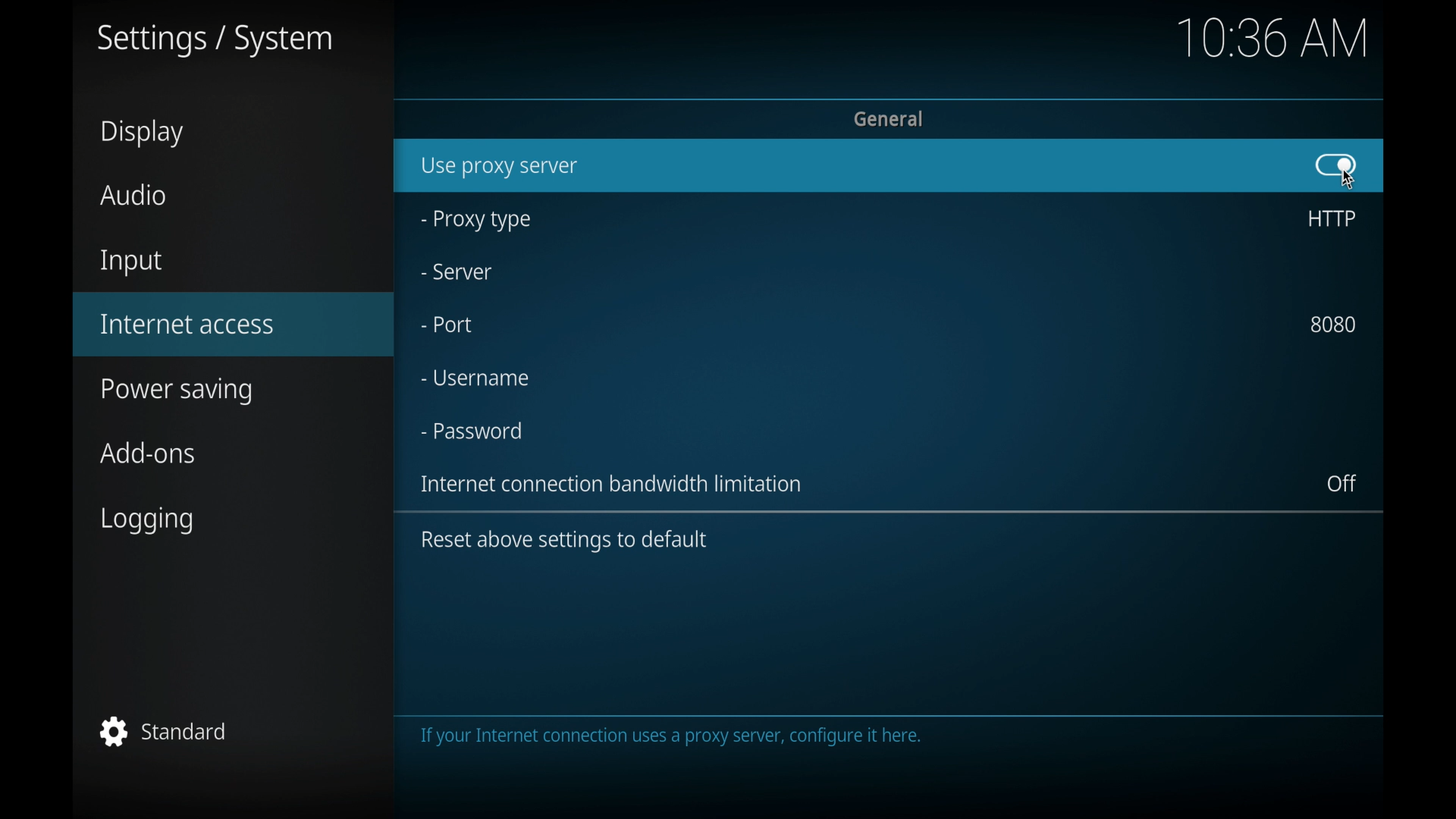 This screenshot has width=1456, height=819. What do you see at coordinates (163, 731) in the screenshot?
I see `standard` at bounding box center [163, 731].